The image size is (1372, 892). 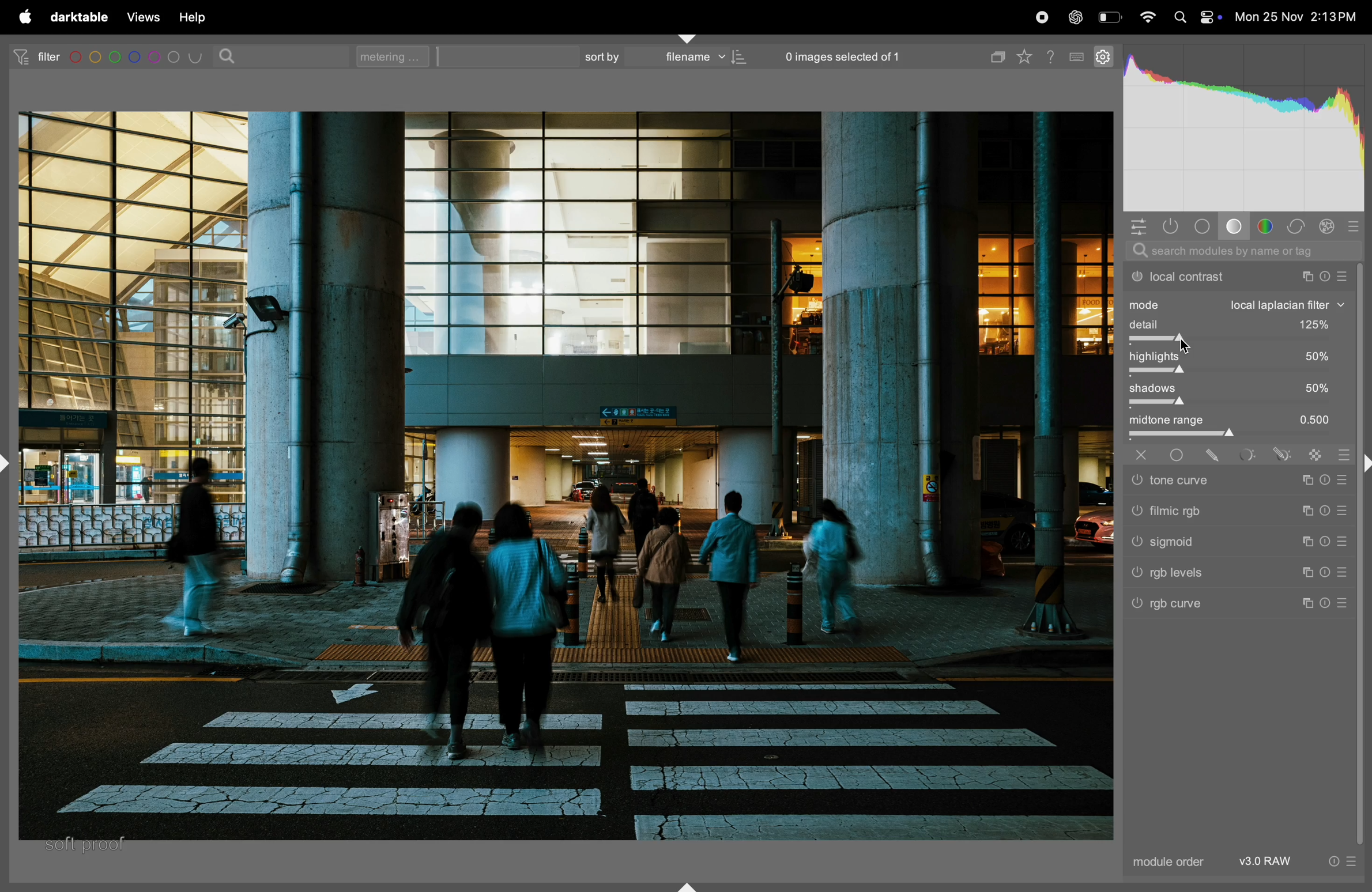 What do you see at coordinates (701, 58) in the screenshot?
I see `filename` at bounding box center [701, 58].